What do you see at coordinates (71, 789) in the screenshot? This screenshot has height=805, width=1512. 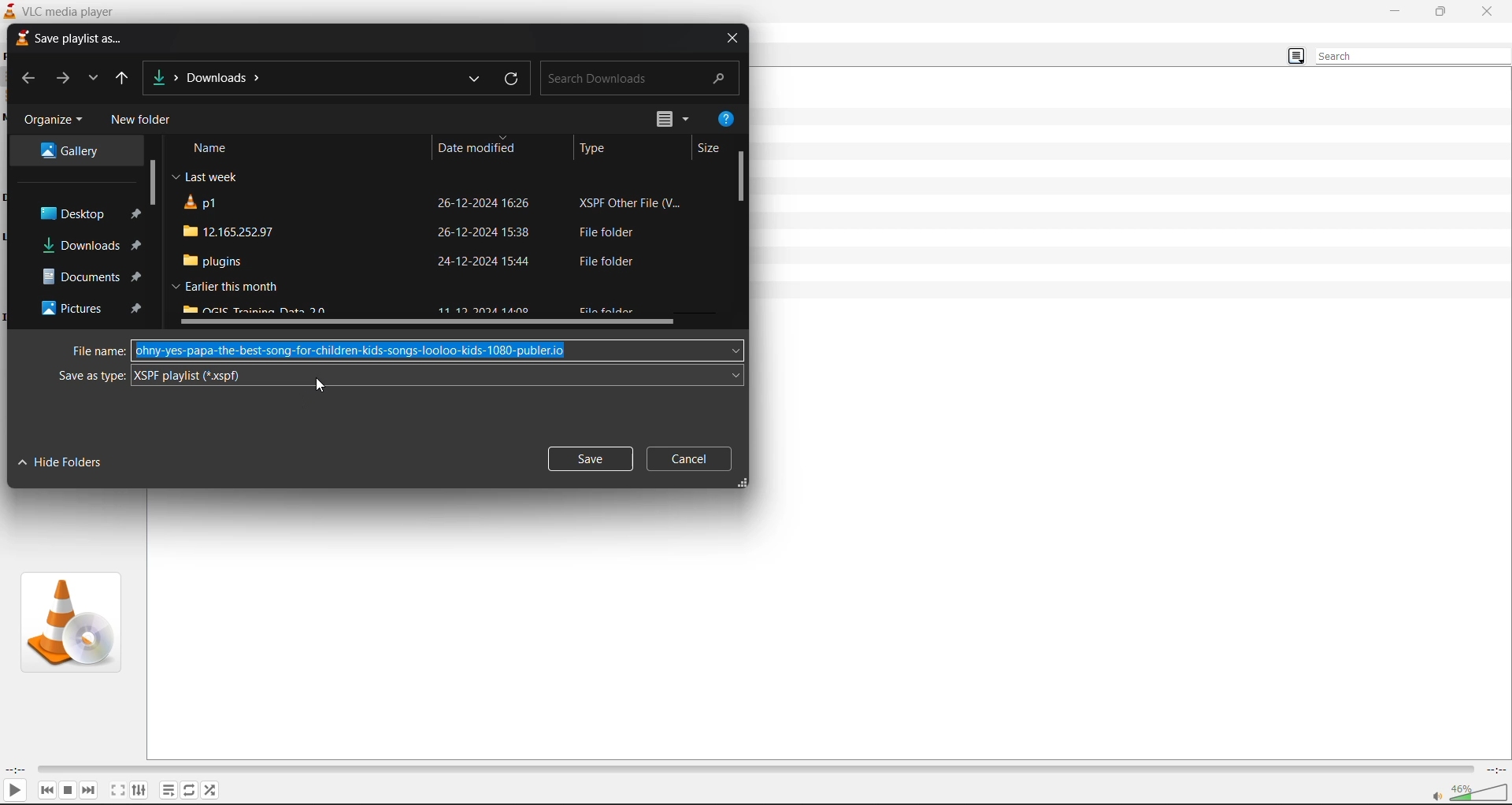 I see `stop` at bounding box center [71, 789].